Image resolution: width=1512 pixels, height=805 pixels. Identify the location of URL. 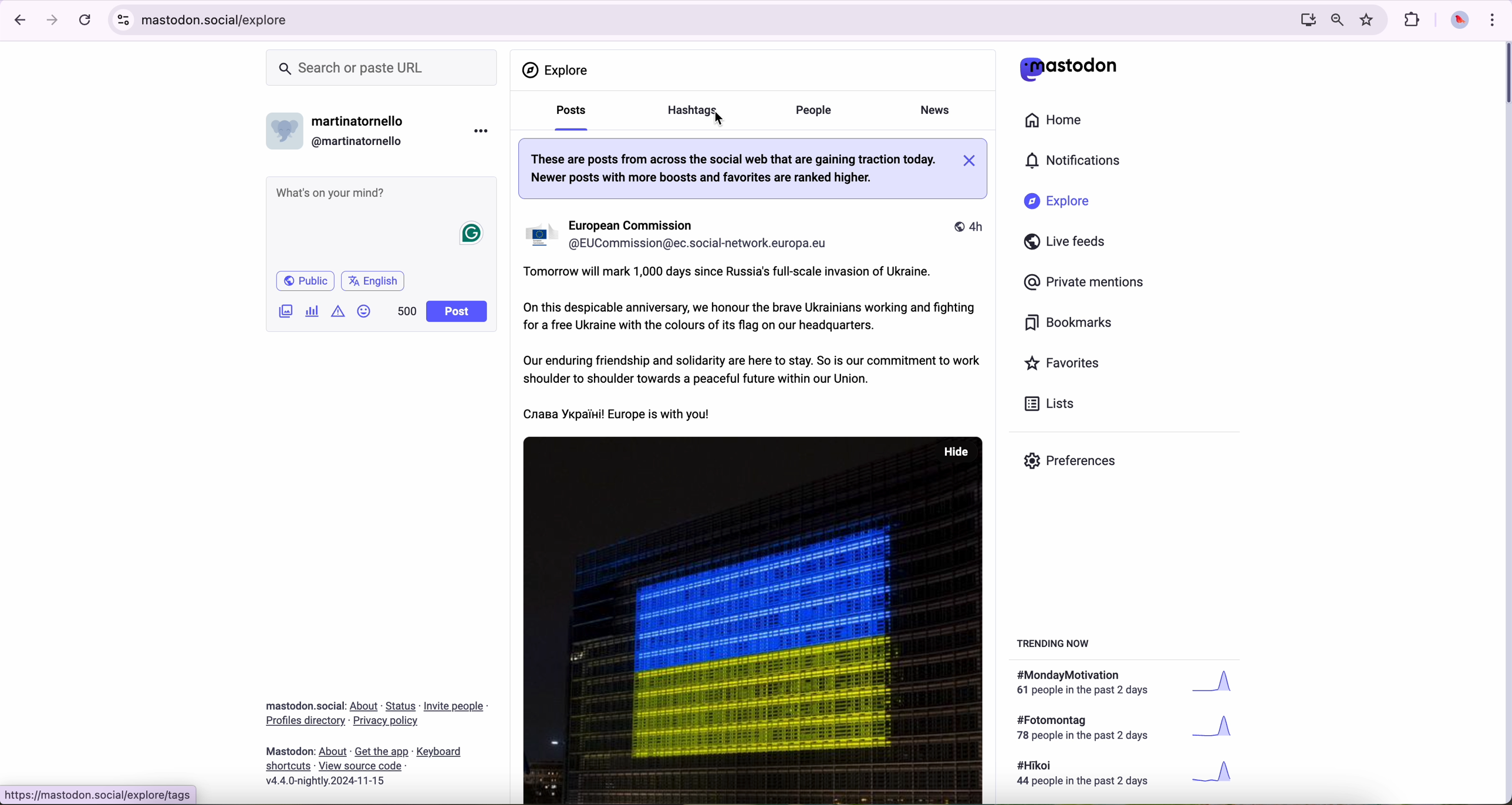
(696, 22).